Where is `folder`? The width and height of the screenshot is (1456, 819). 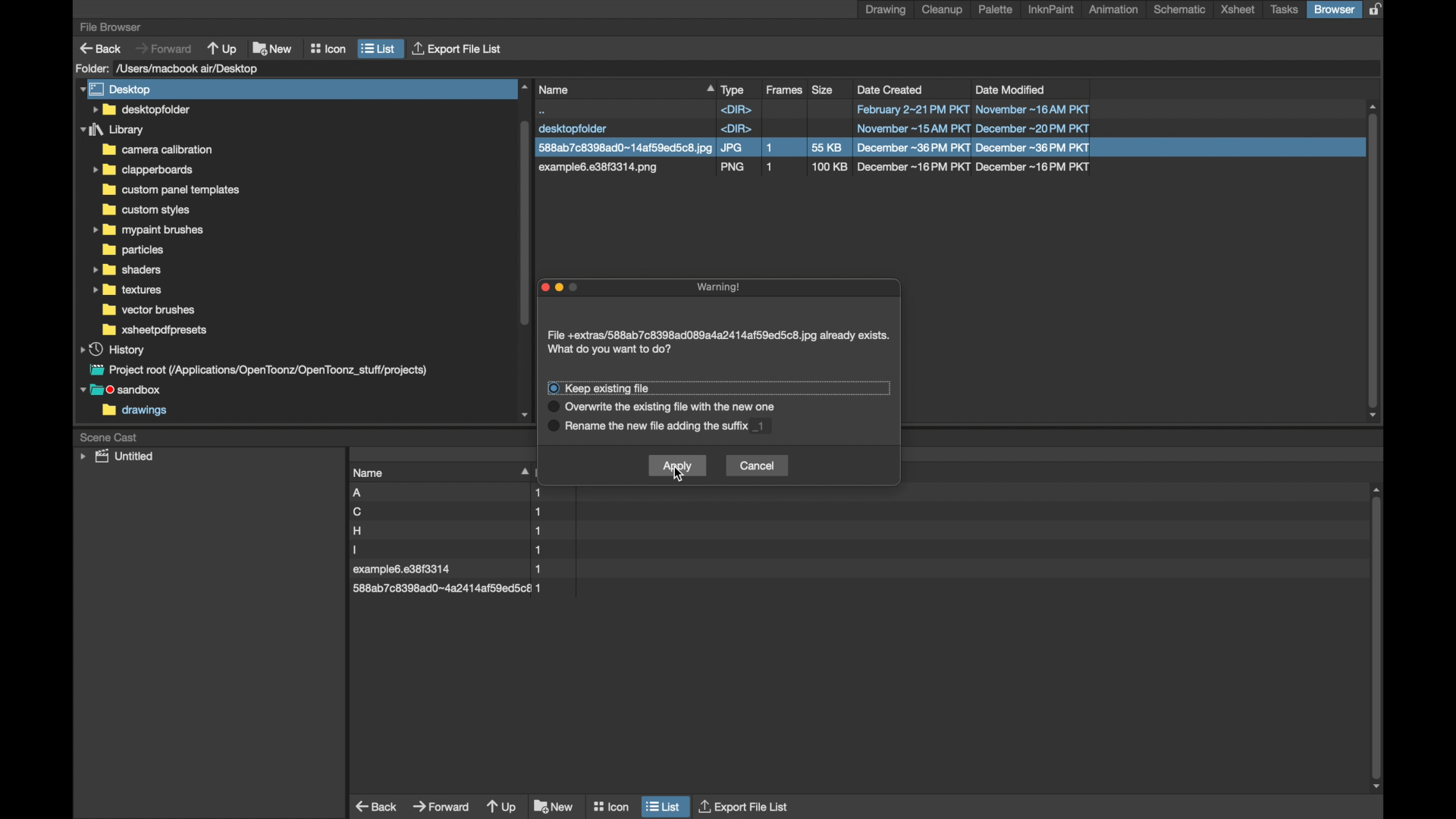
folder is located at coordinates (128, 290).